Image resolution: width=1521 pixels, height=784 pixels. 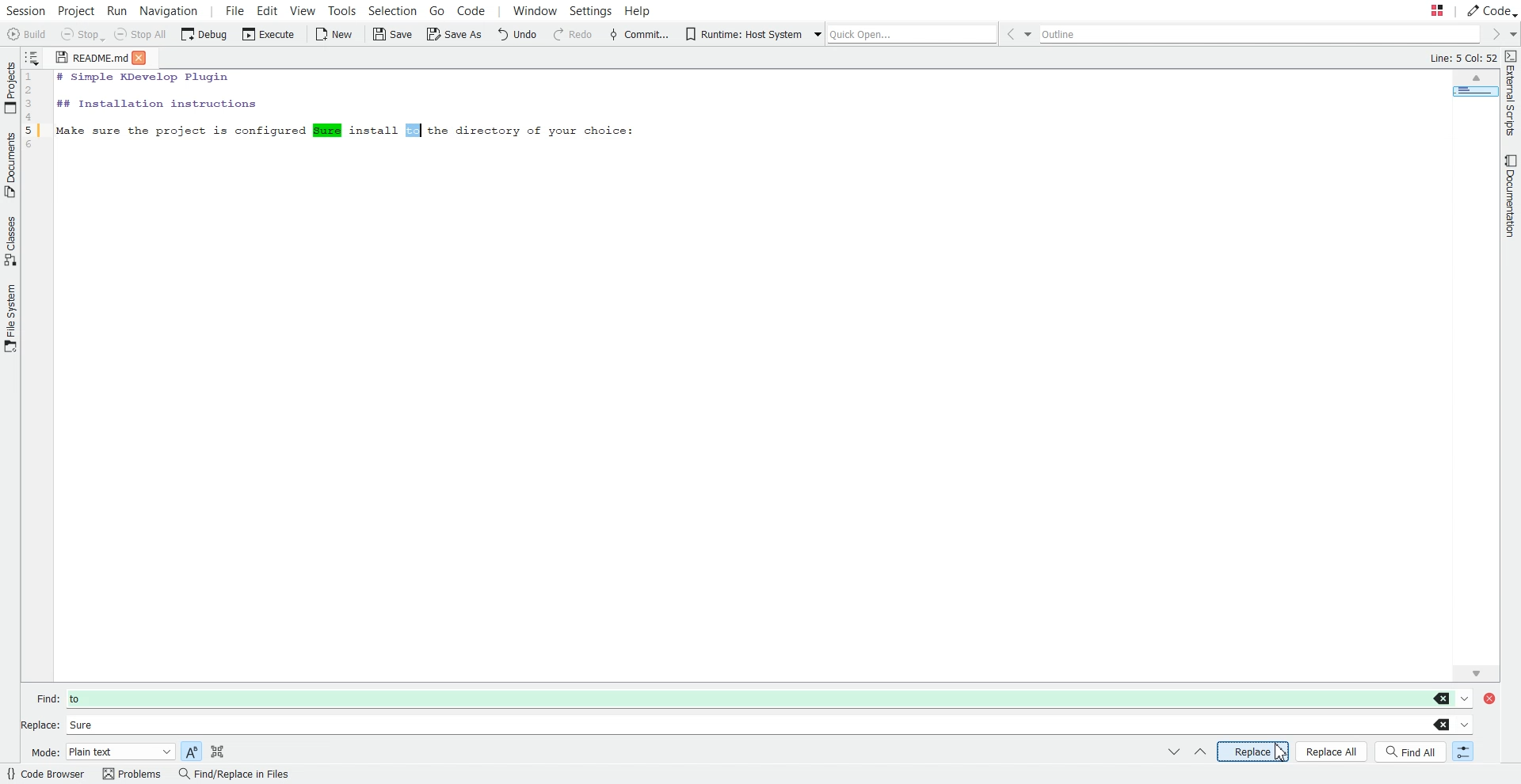 What do you see at coordinates (77, 10) in the screenshot?
I see `Project` at bounding box center [77, 10].